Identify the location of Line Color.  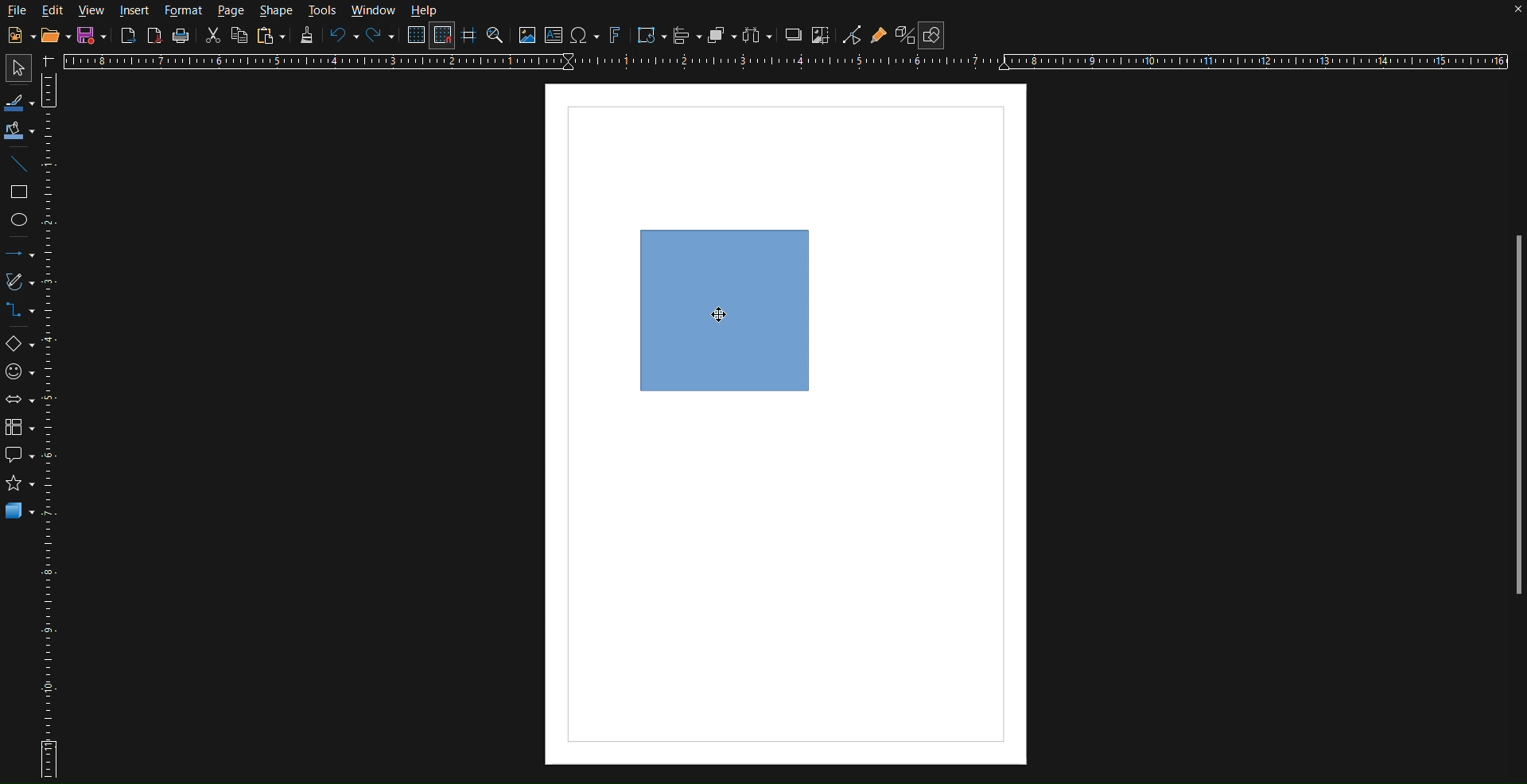
(18, 101).